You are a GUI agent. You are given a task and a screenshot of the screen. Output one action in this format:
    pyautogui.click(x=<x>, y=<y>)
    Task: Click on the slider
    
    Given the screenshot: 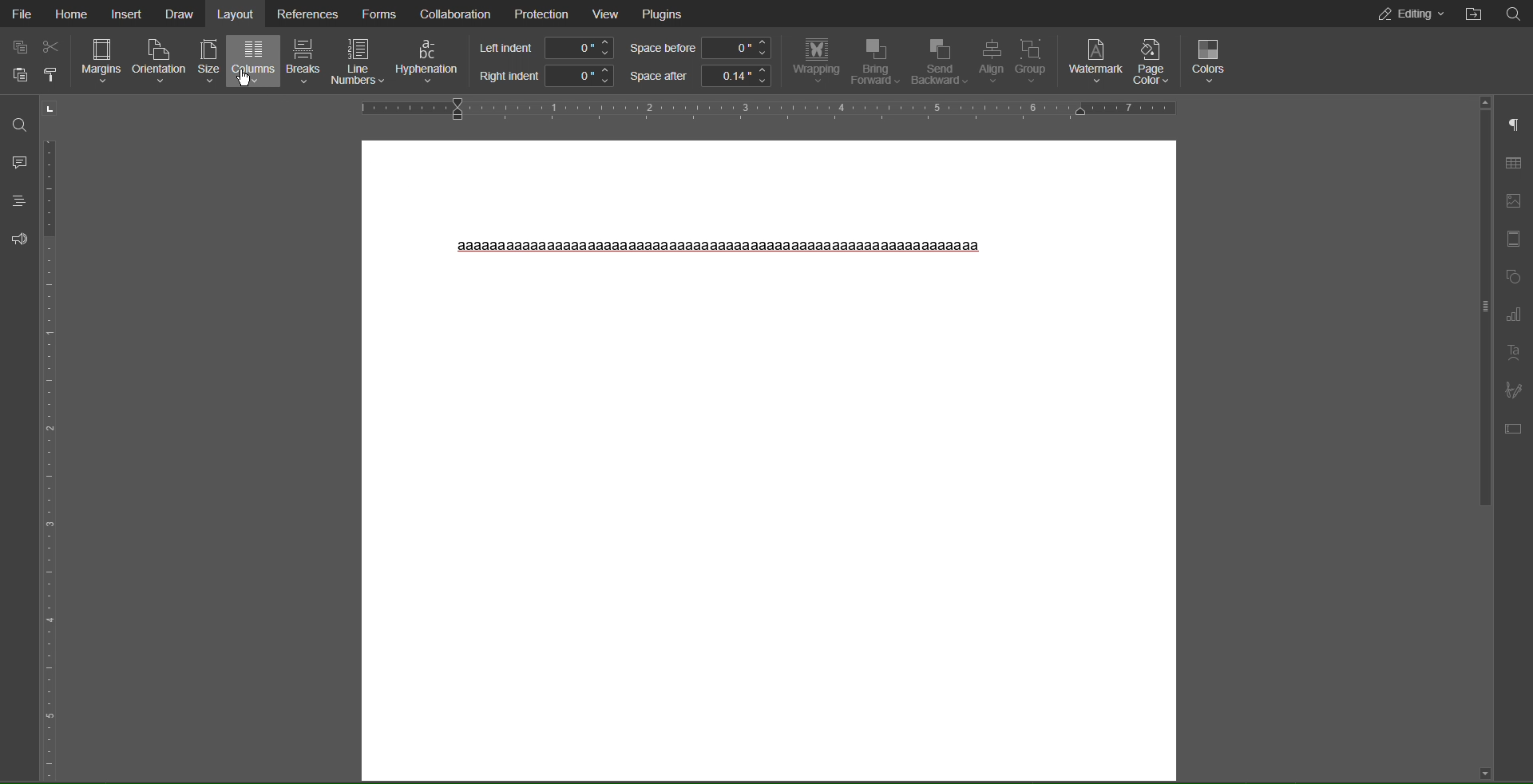 What is the action you would take?
    pyautogui.click(x=1479, y=301)
    